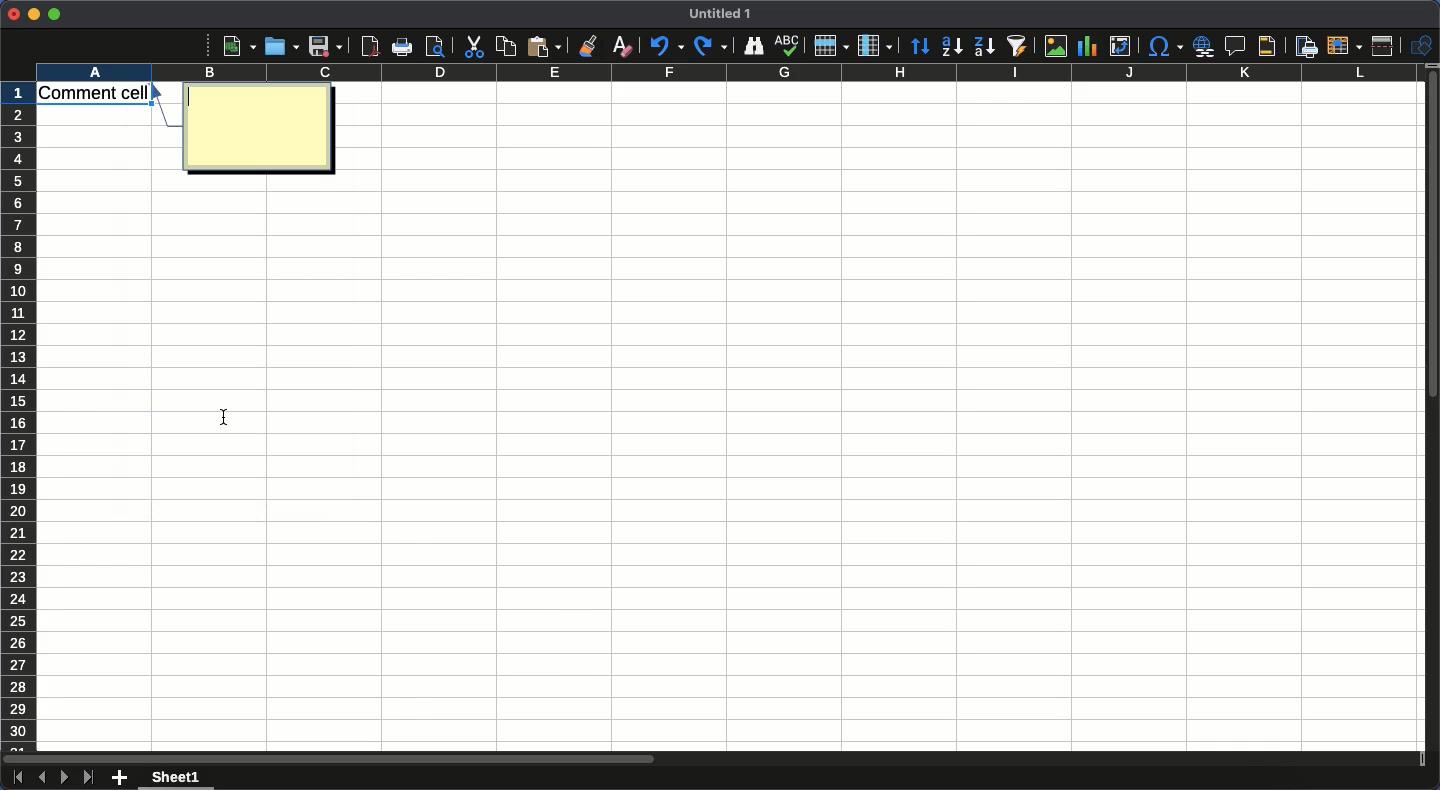 The width and height of the screenshot is (1440, 790). What do you see at coordinates (830, 46) in the screenshot?
I see `Row` at bounding box center [830, 46].